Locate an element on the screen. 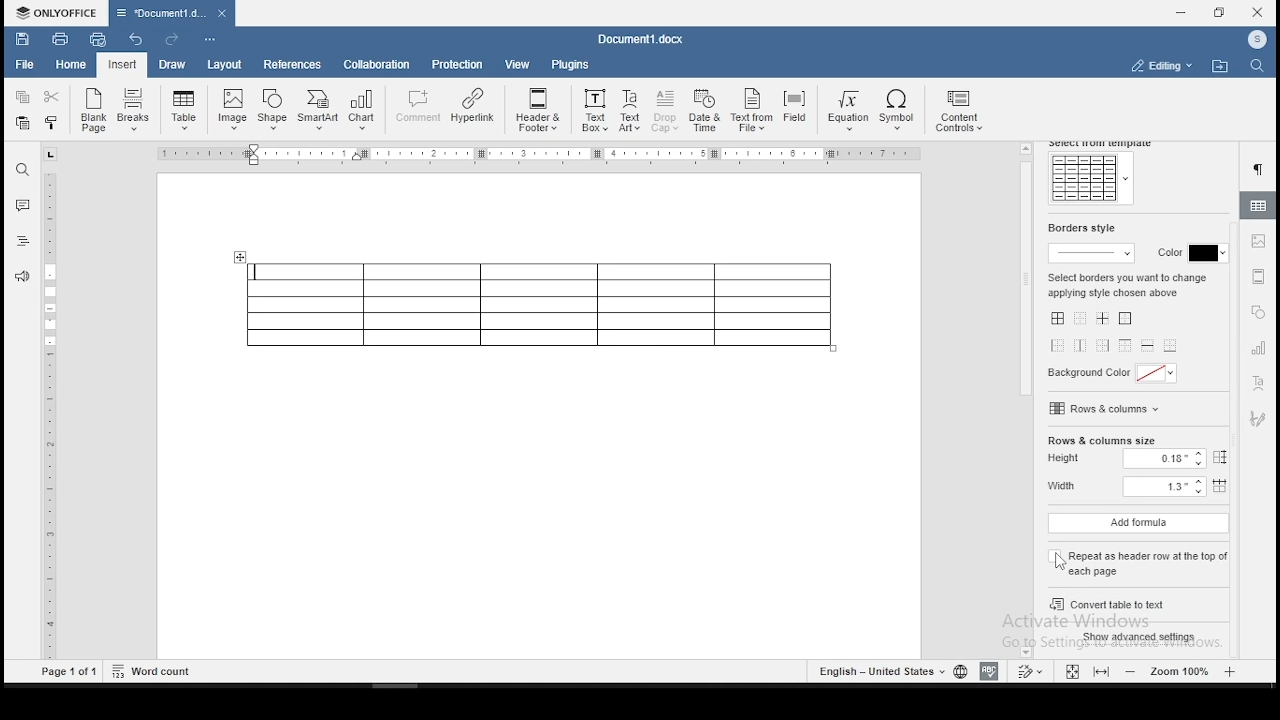 The height and width of the screenshot is (720, 1280). no borders is located at coordinates (1081, 320).